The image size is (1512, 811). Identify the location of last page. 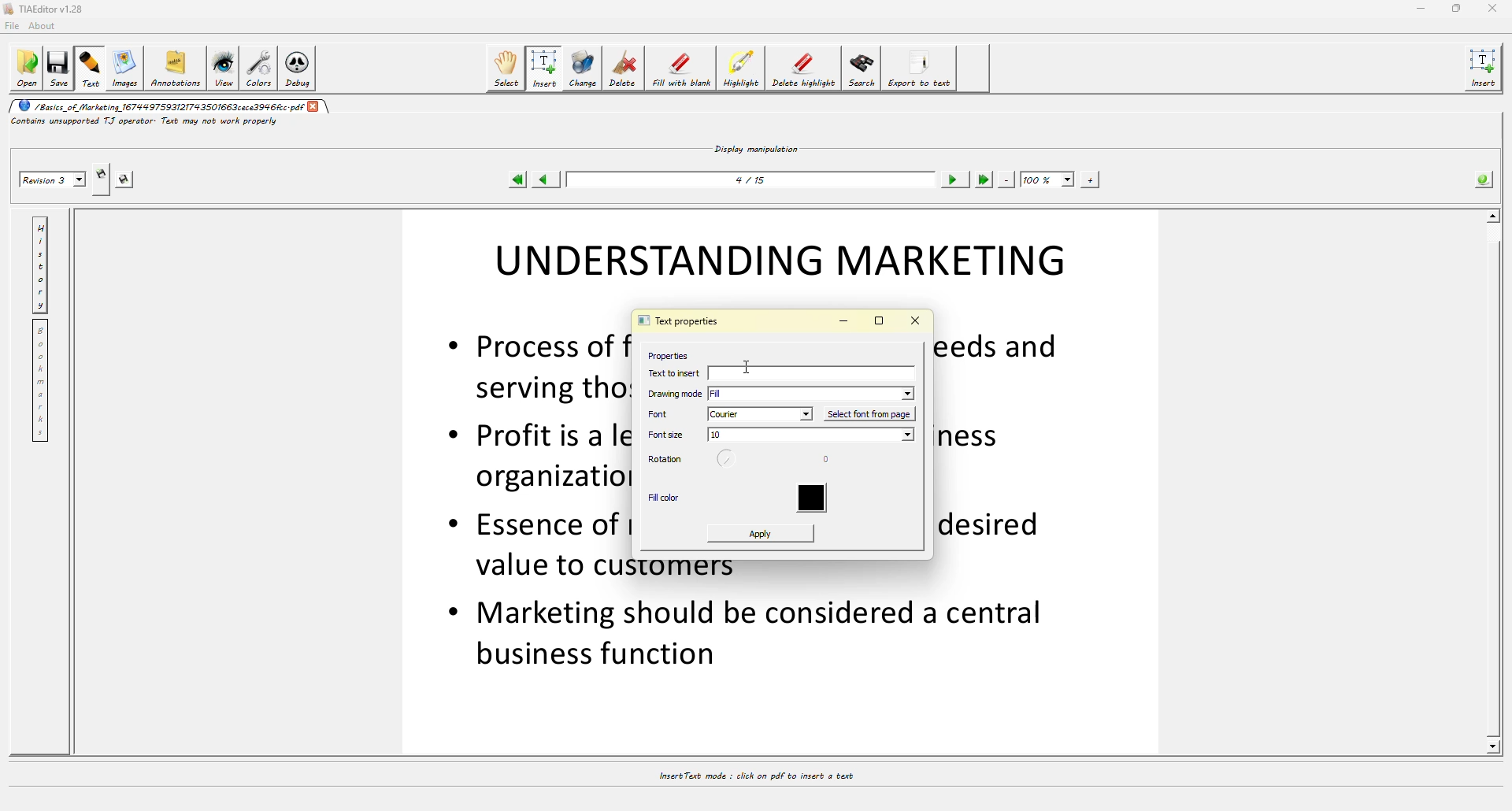
(984, 180).